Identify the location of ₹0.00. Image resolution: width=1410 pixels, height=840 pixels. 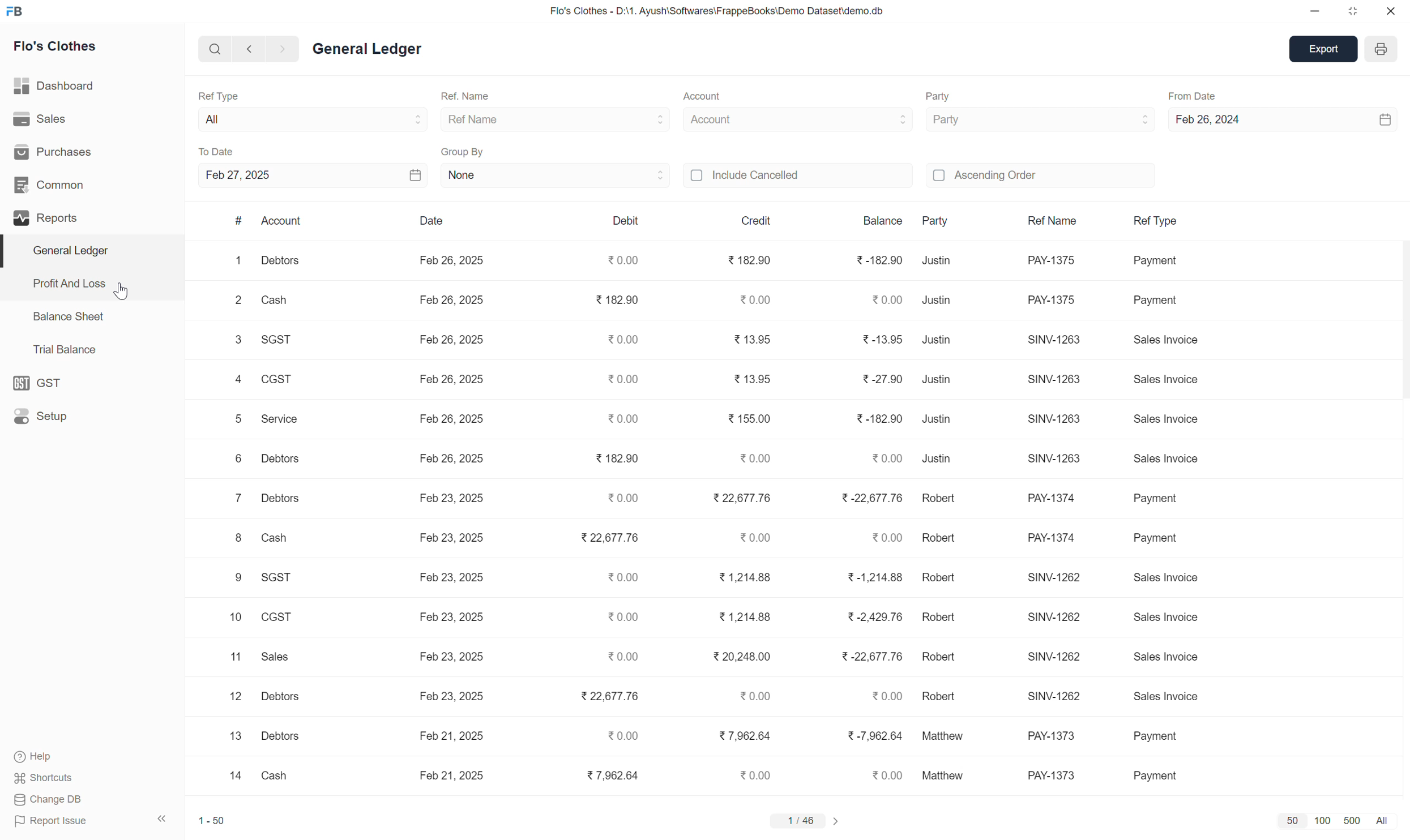
(618, 580).